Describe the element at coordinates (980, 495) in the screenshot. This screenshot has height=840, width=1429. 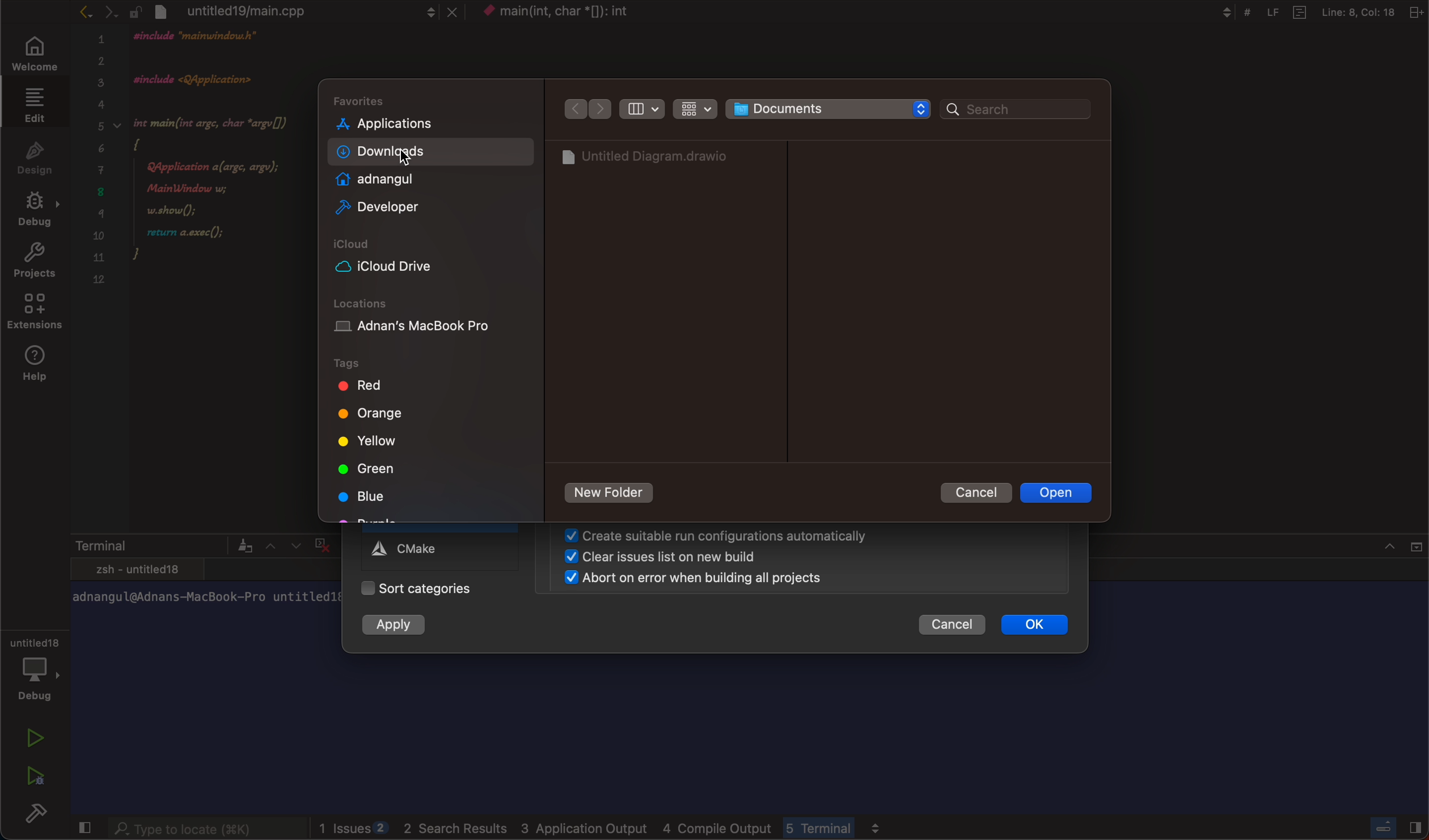
I see `cancel` at that location.